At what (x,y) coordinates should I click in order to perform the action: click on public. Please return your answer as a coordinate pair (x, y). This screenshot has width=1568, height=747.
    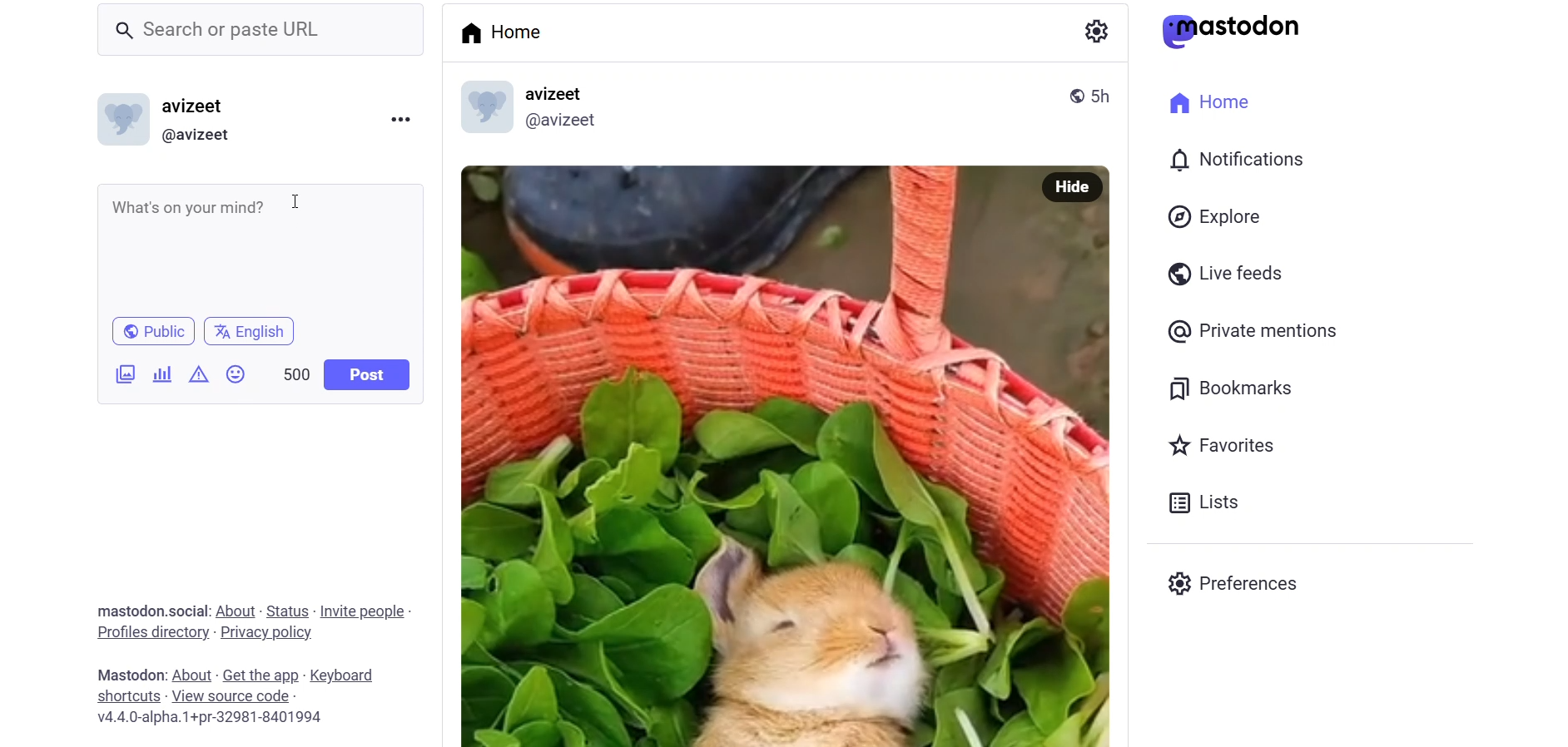
    Looking at the image, I should click on (1071, 93).